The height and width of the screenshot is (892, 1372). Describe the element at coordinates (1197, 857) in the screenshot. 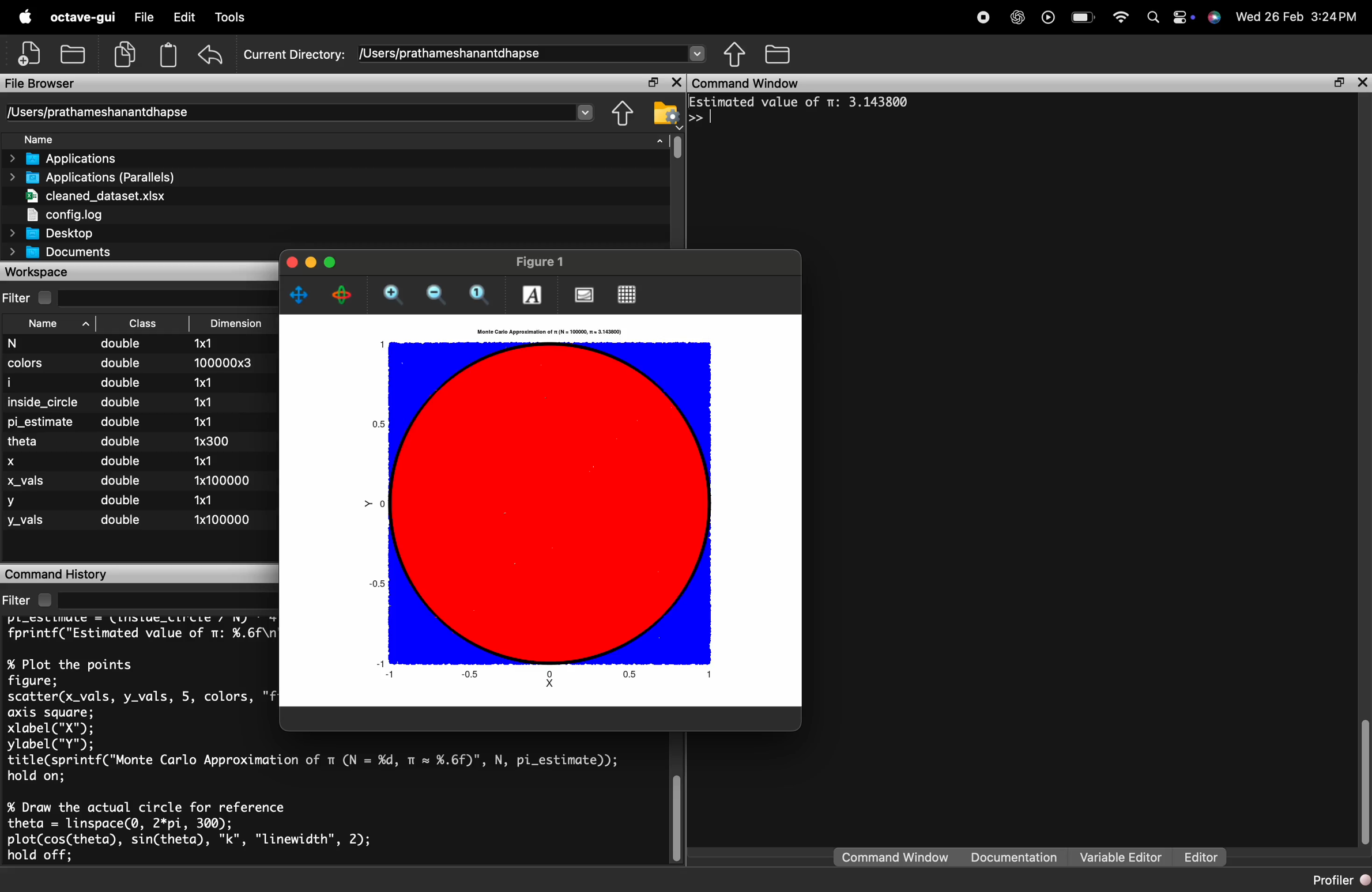

I see `Editor` at that location.